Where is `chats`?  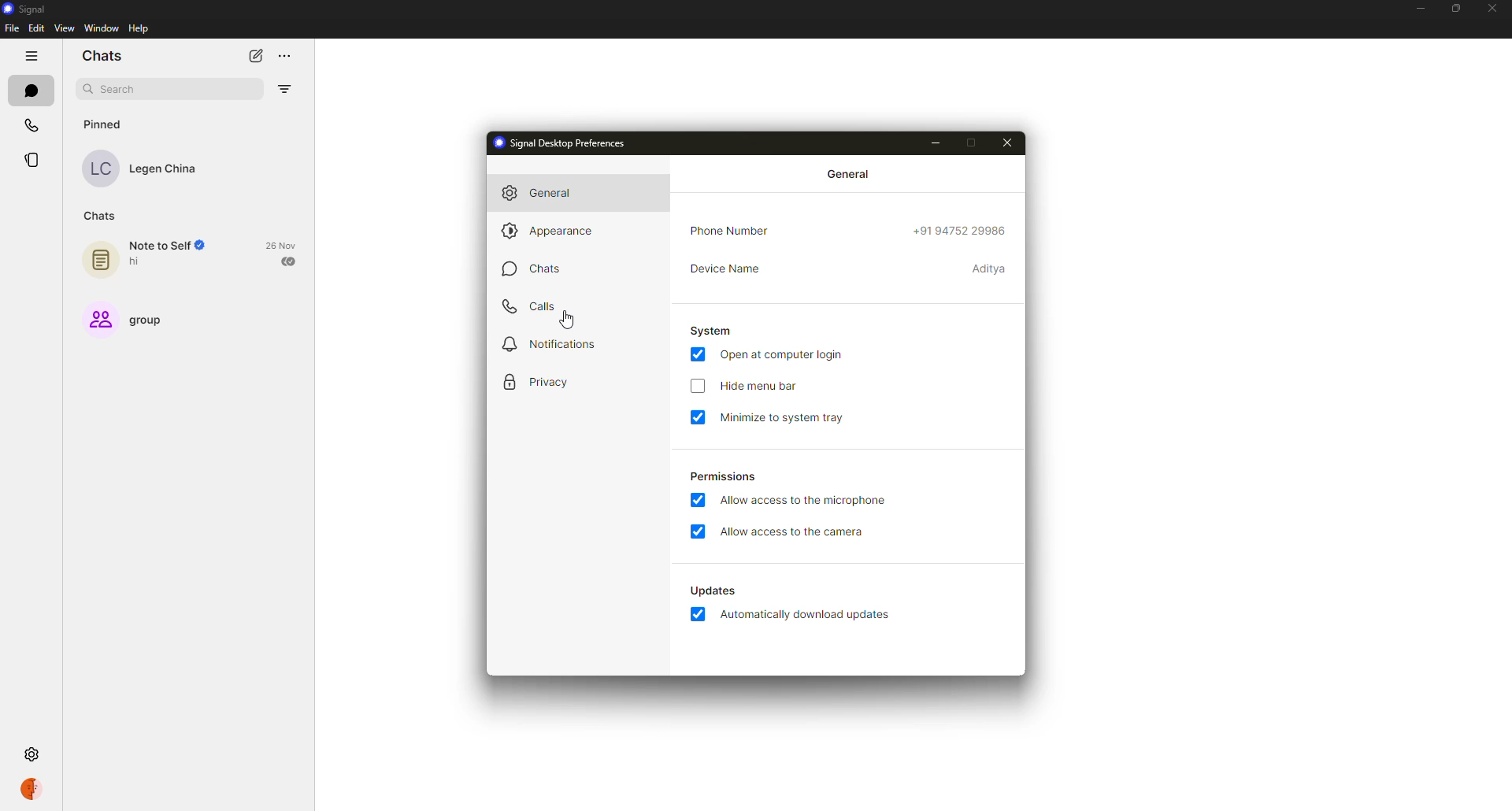 chats is located at coordinates (33, 91).